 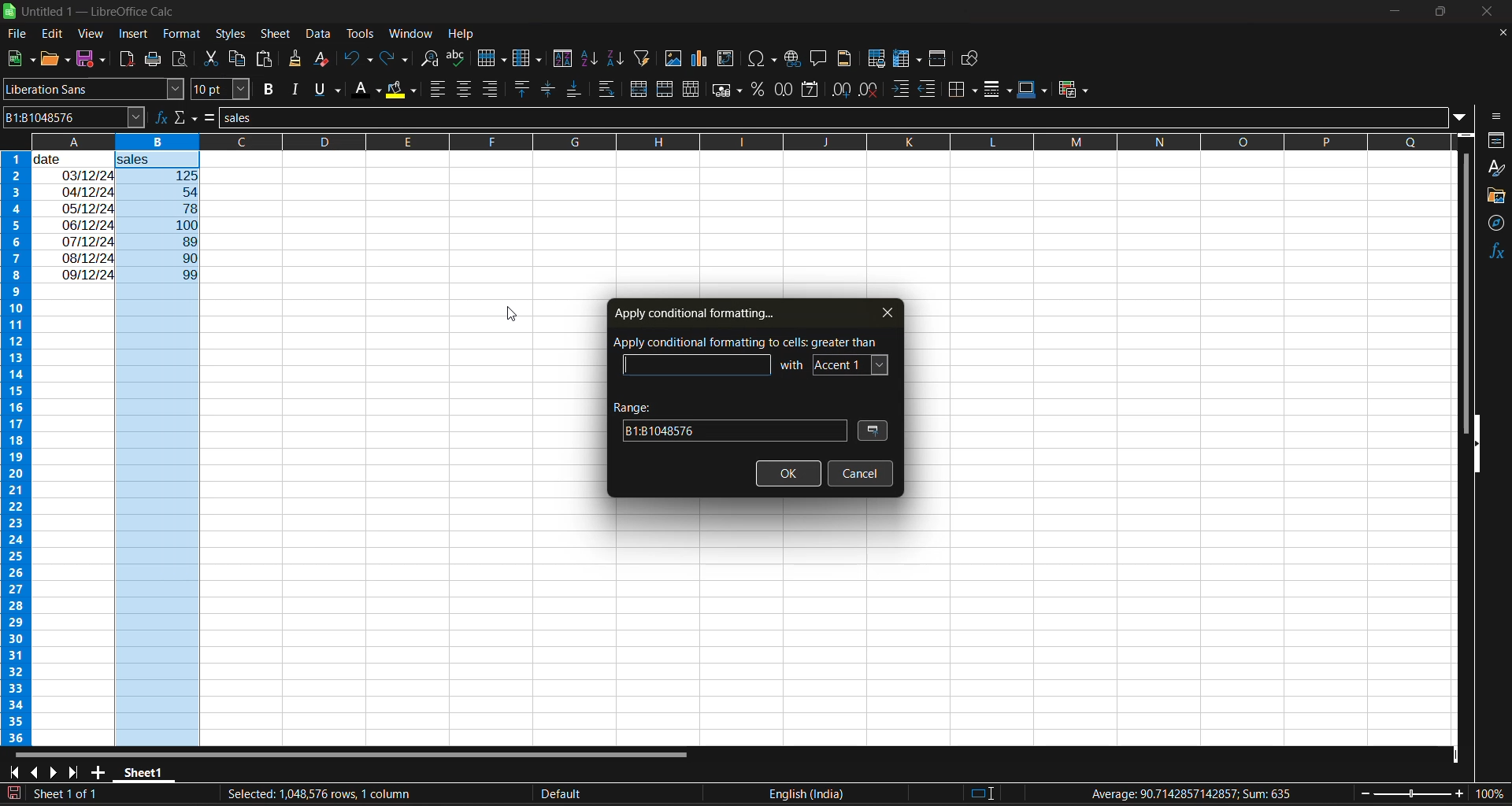 What do you see at coordinates (492, 57) in the screenshot?
I see `row` at bounding box center [492, 57].